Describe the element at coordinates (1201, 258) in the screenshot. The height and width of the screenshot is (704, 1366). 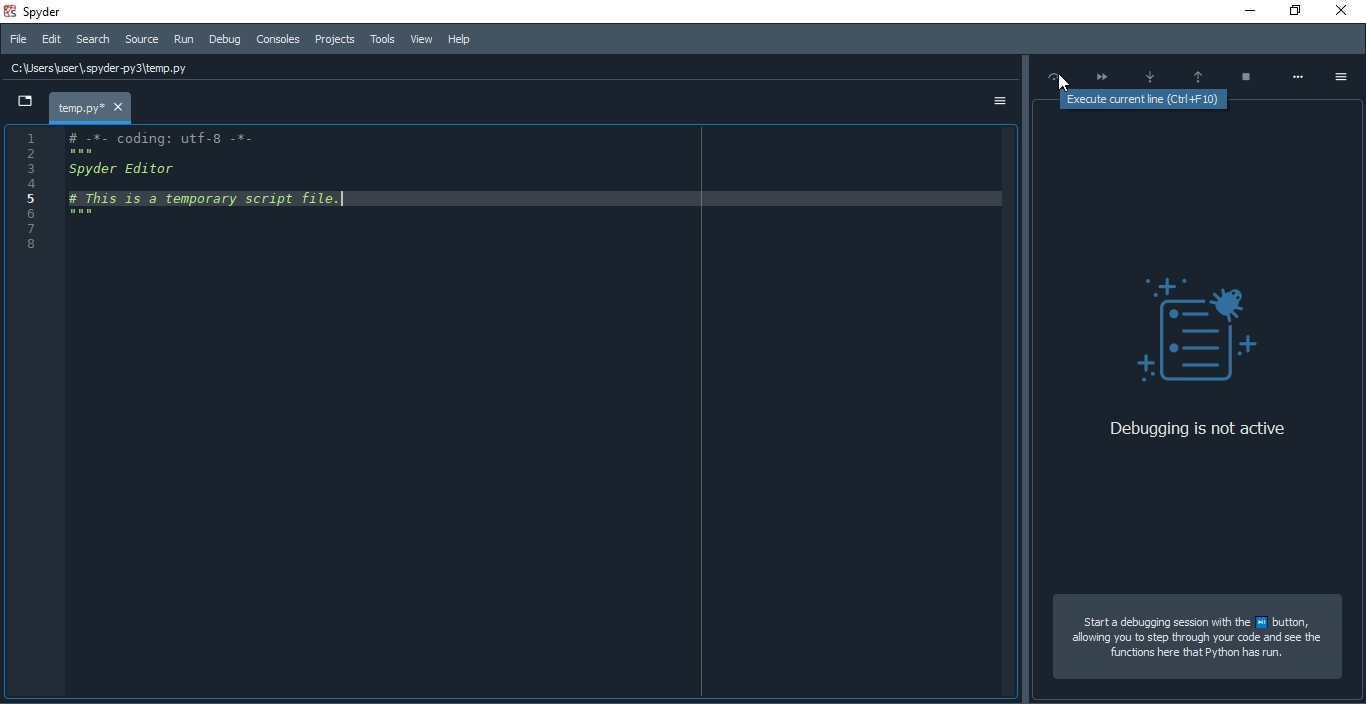
I see `debugging details` at that location.